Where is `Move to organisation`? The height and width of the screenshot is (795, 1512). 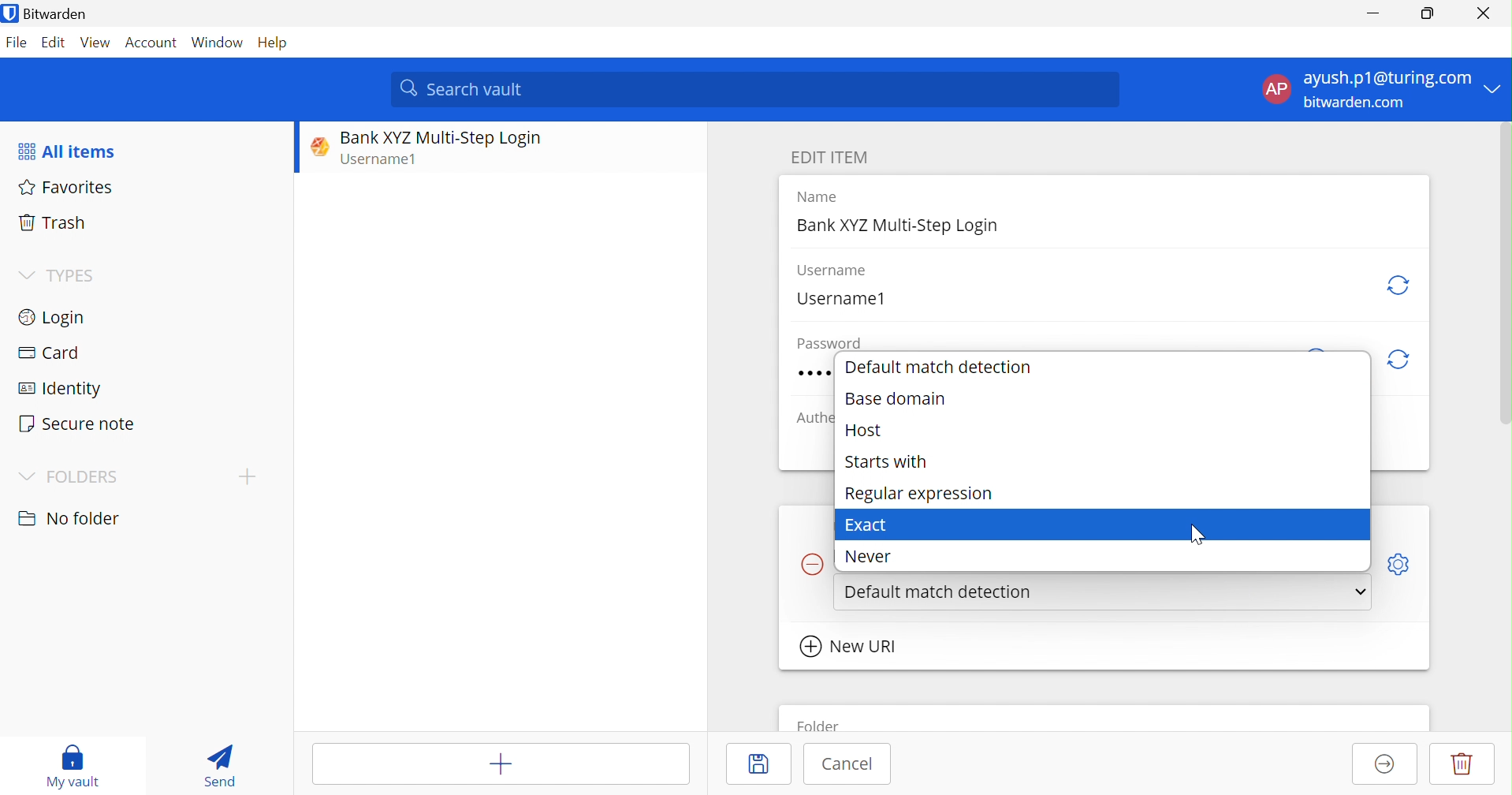
Move to organisation is located at coordinates (1385, 765).